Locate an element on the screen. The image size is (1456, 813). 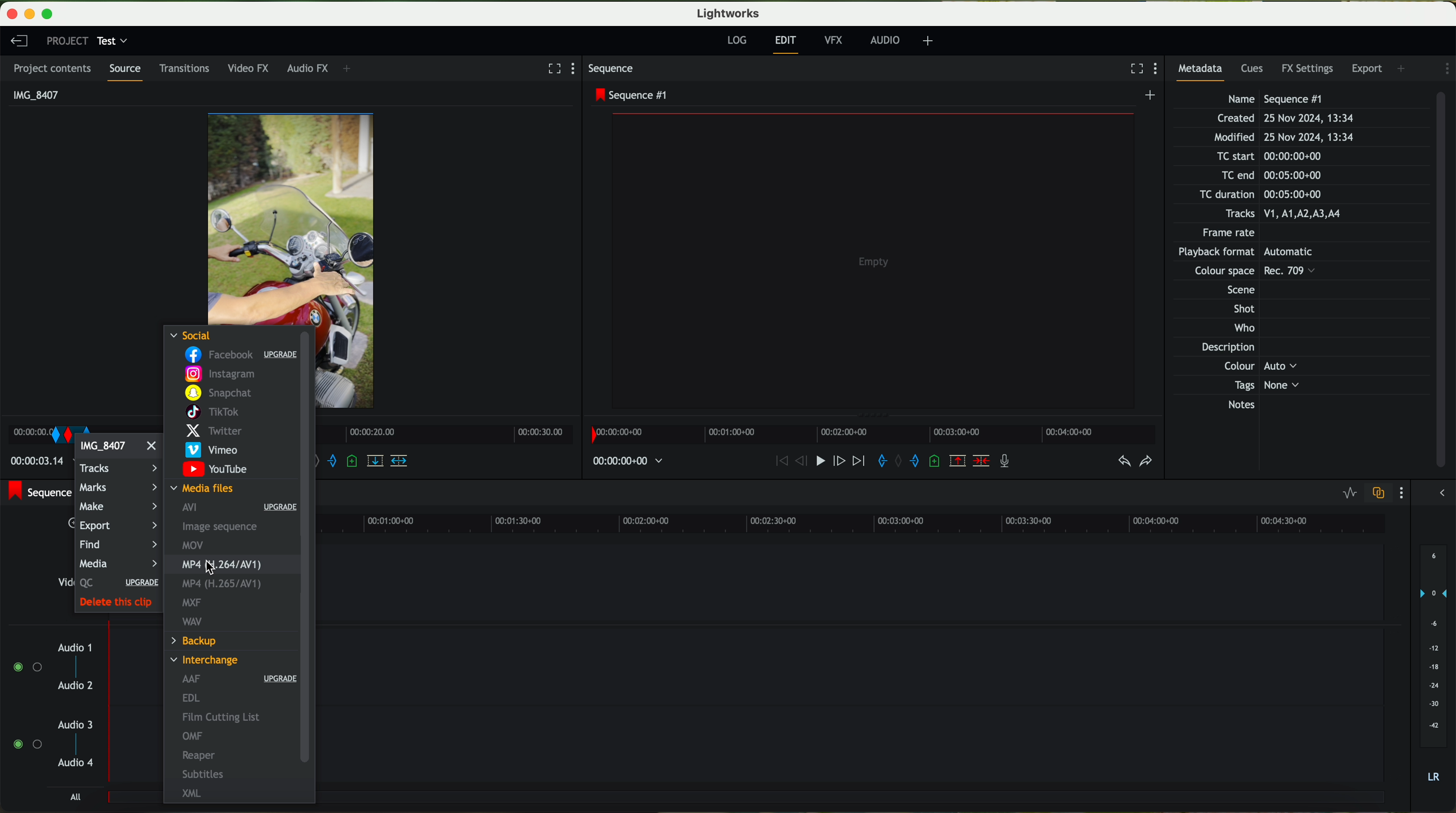
add an out mark is located at coordinates (332, 464).